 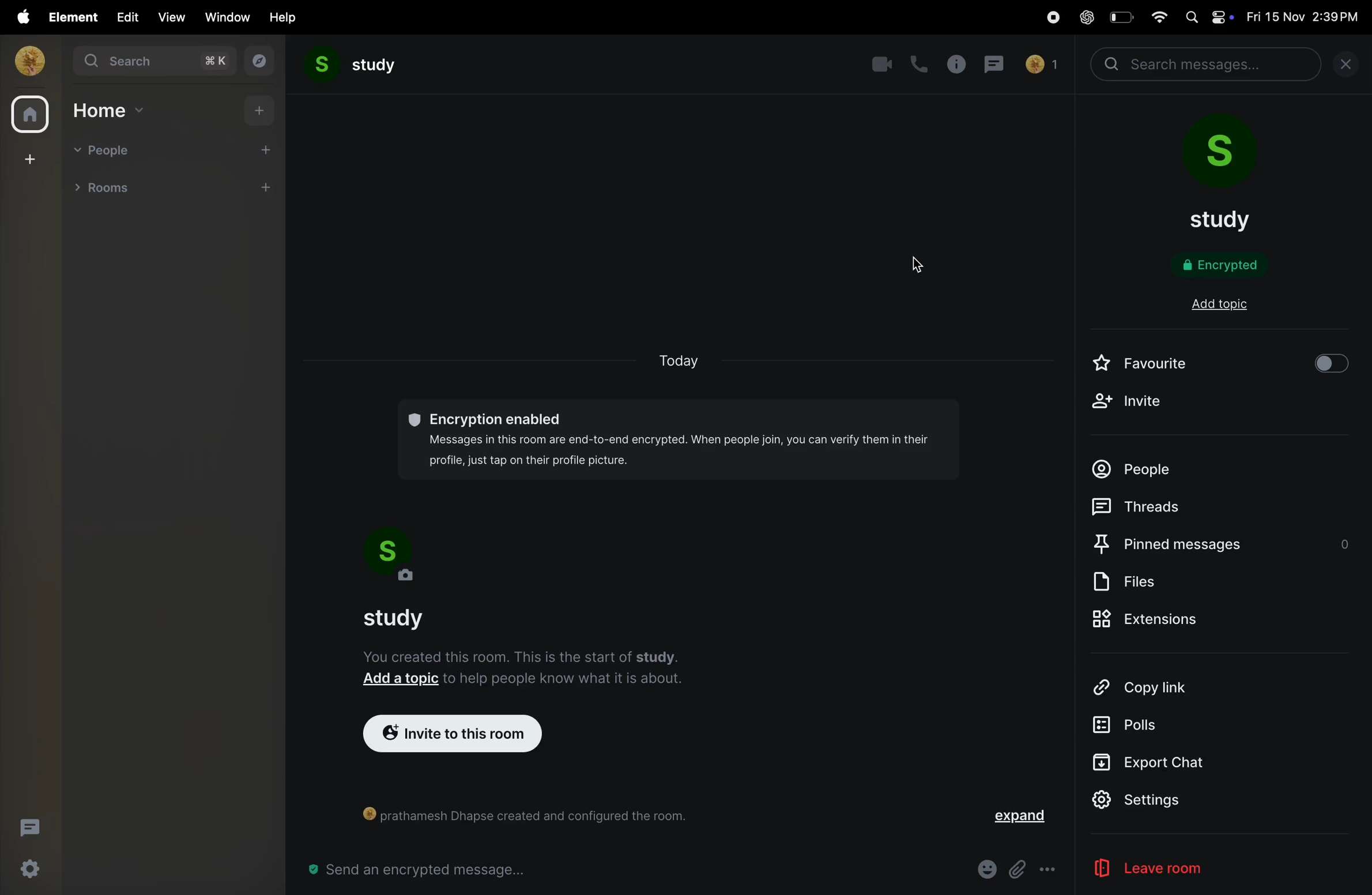 What do you see at coordinates (681, 439) in the screenshot?
I see `©® Encryption enabled
Messages in this room are end-to-end encrypted. When people join, you can verify them in their
profile, just tap on their profile picture.` at bounding box center [681, 439].